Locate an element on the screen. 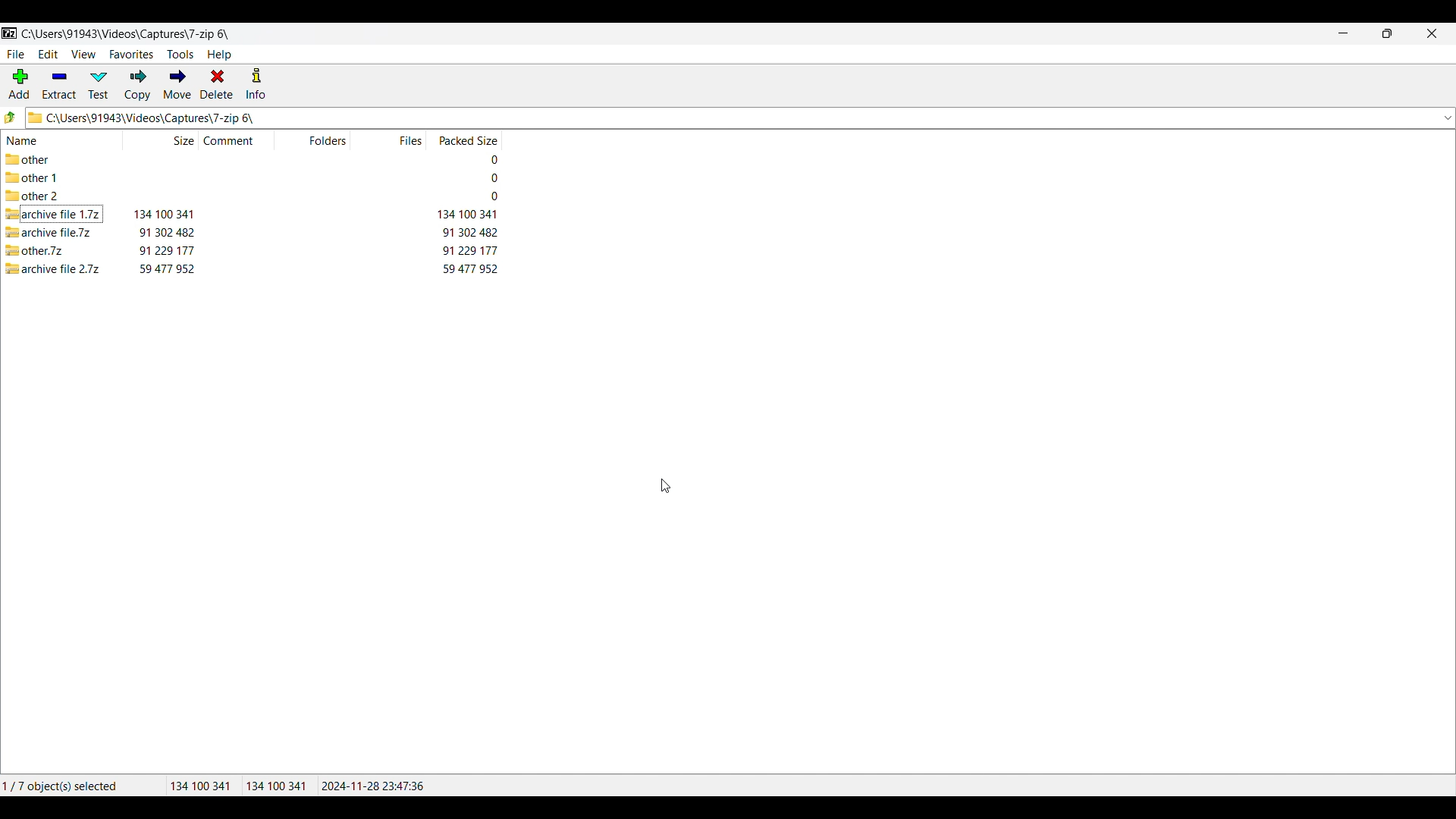  packed size is located at coordinates (490, 196).